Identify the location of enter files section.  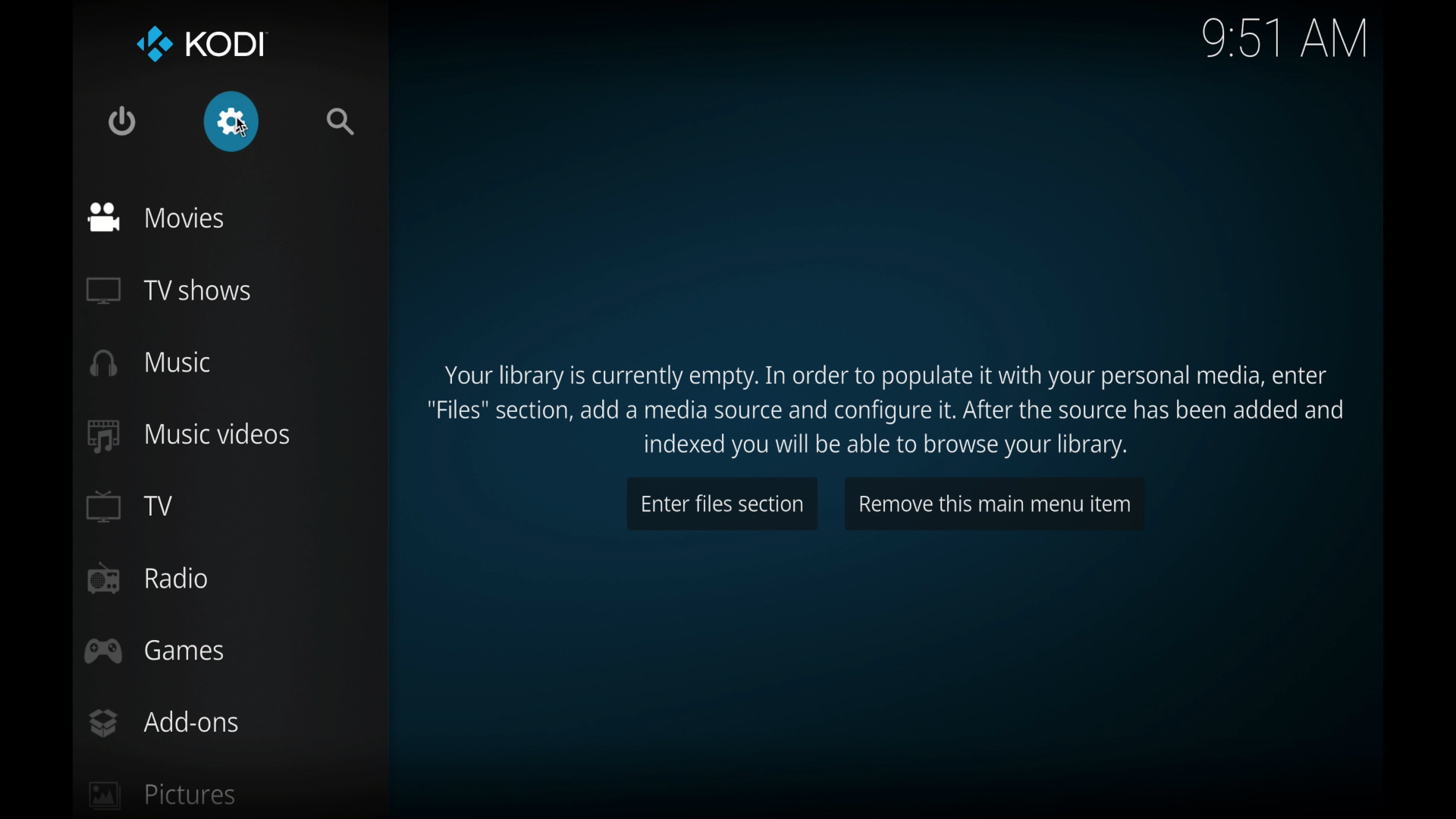
(720, 505).